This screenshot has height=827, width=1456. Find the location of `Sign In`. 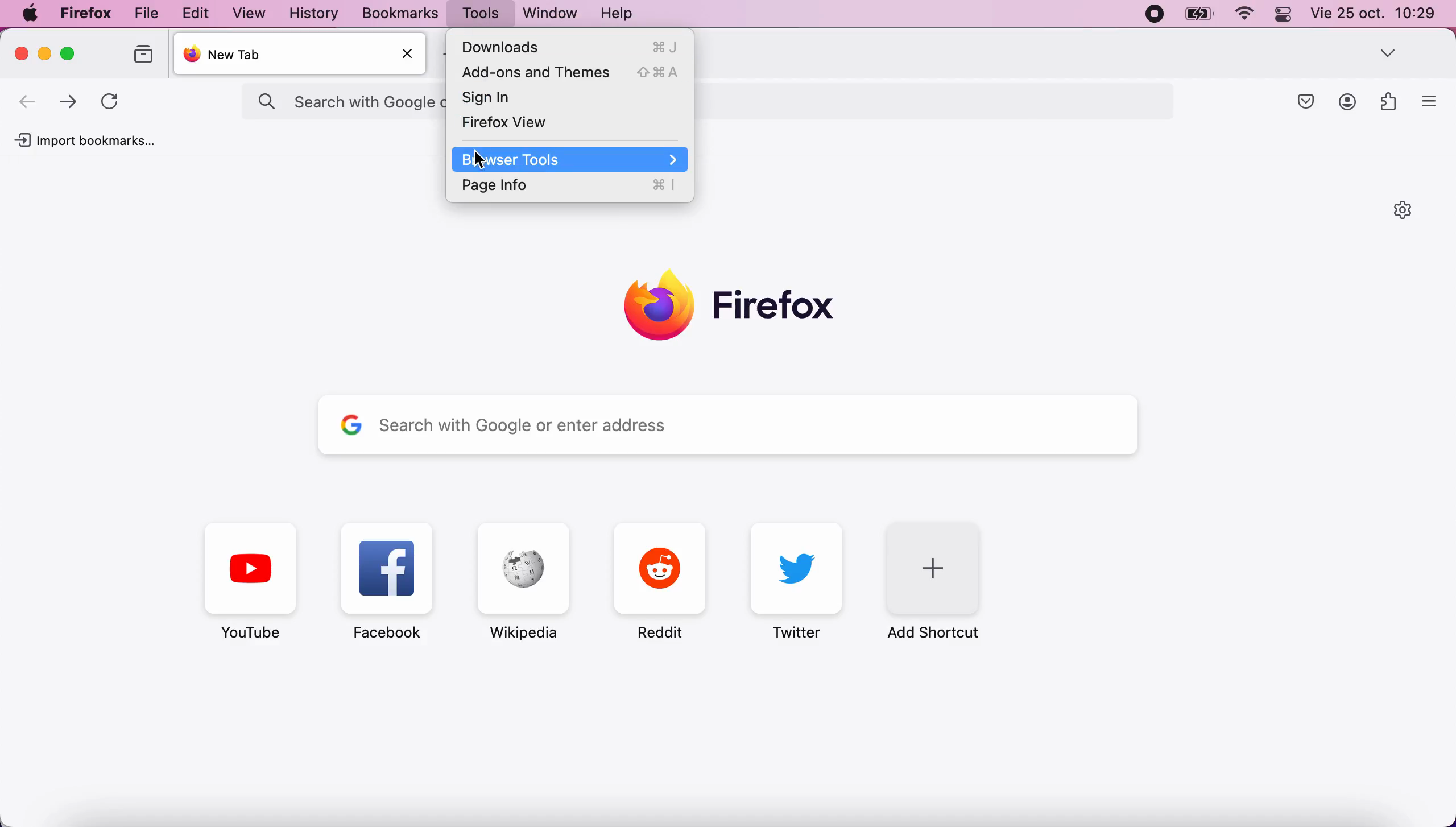

Sign In is located at coordinates (572, 98).